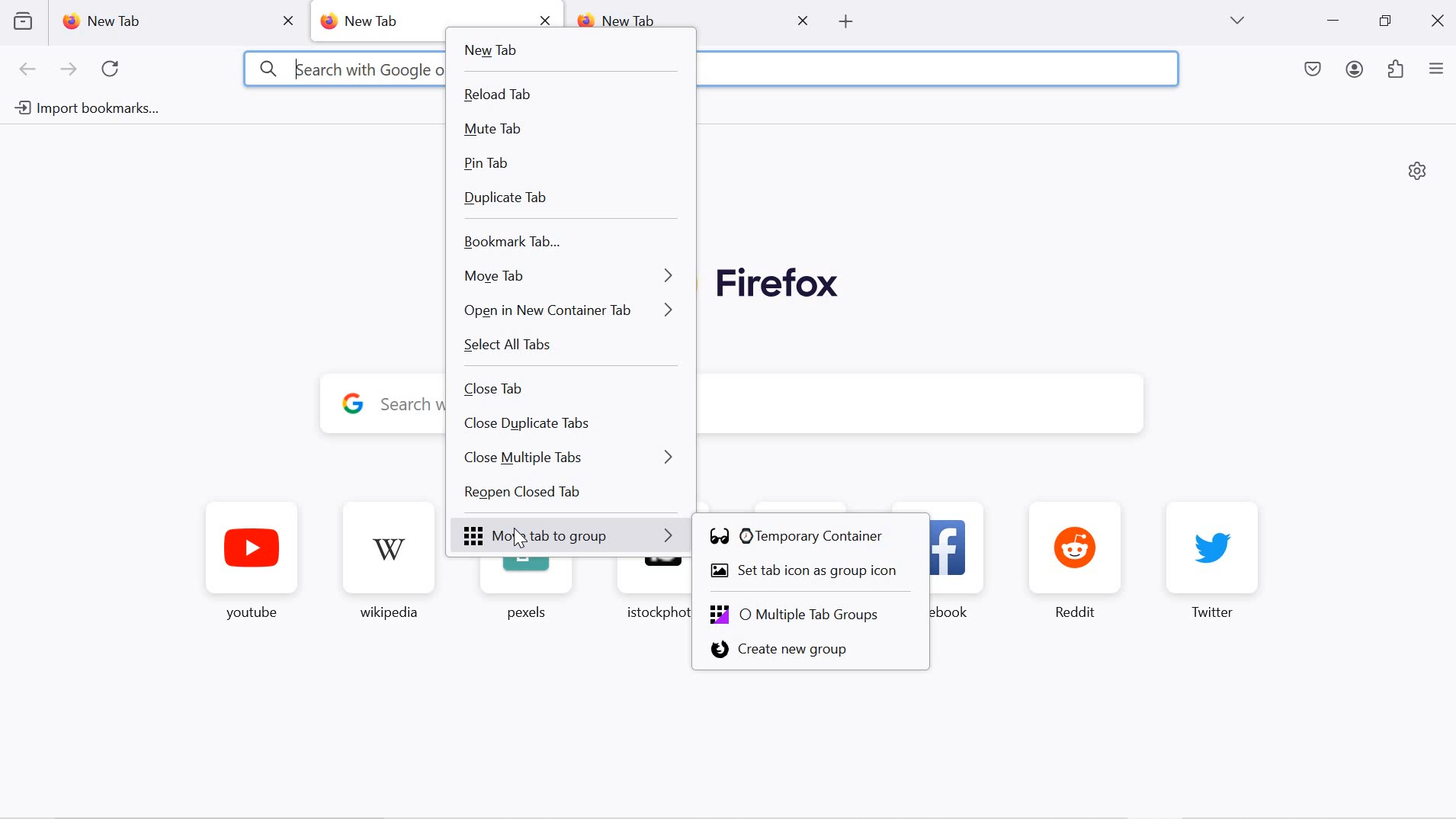 The image size is (1456, 819). Describe the element at coordinates (804, 614) in the screenshot. I see `Multiple tab groups` at that location.